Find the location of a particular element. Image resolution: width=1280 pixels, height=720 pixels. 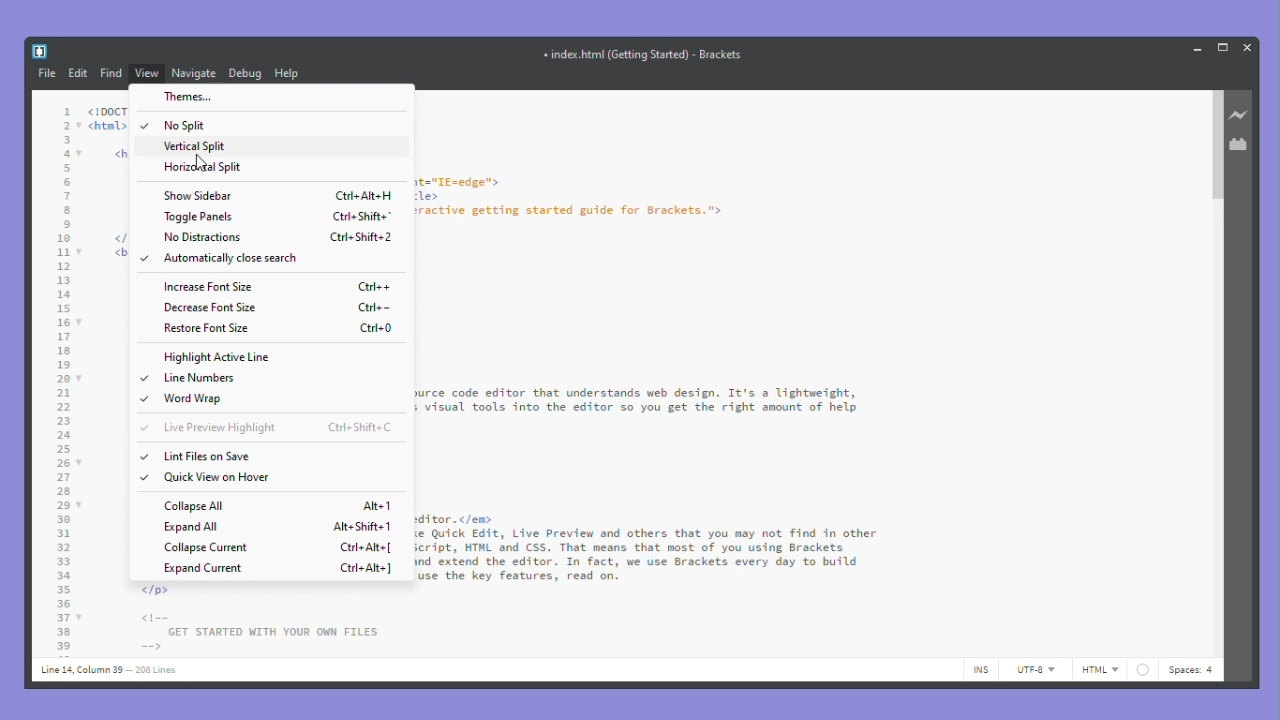

Toggle panels is located at coordinates (279, 217).